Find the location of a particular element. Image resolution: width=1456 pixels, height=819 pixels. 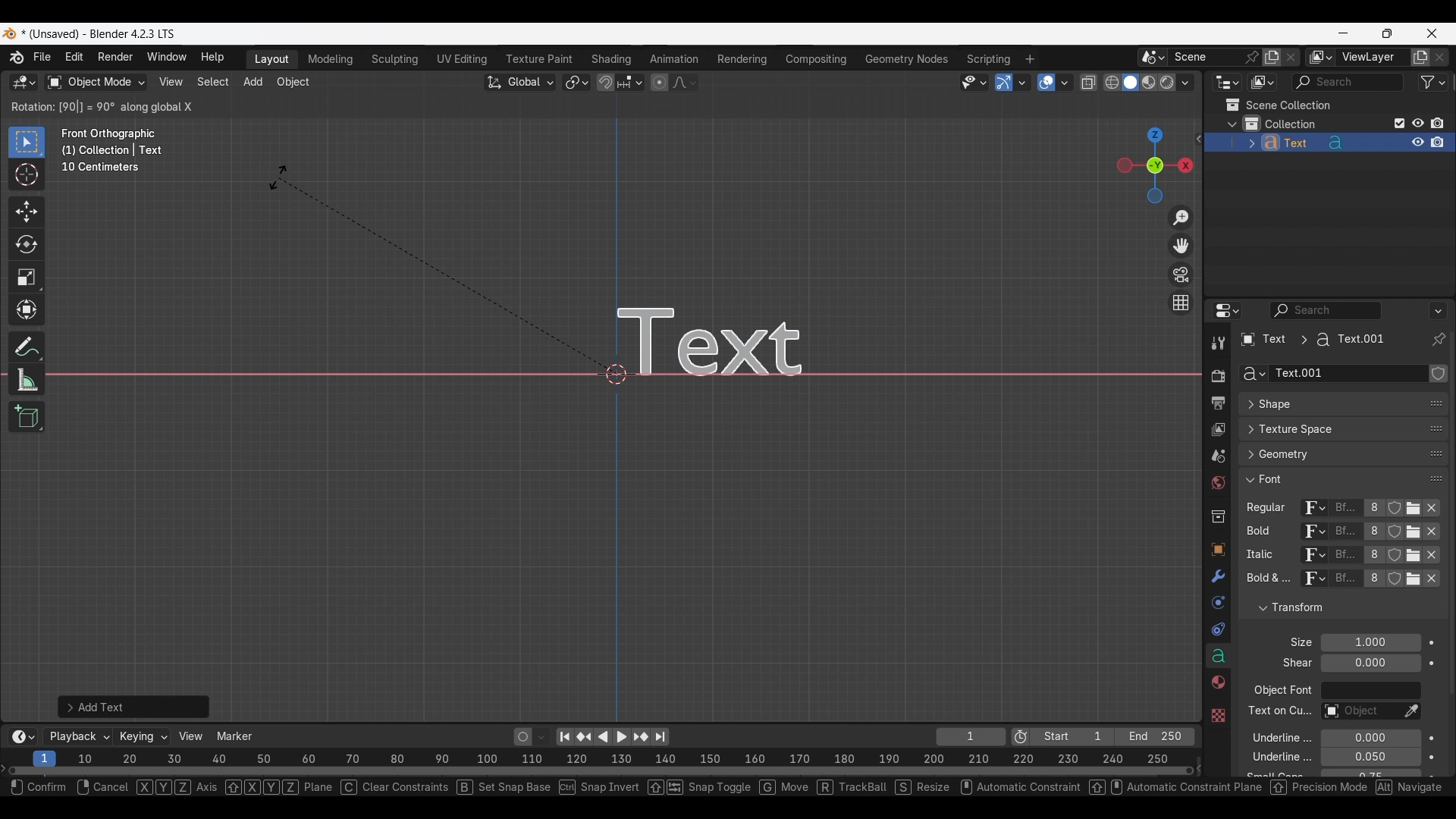

Hide in viewport is located at coordinates (1417, 123).